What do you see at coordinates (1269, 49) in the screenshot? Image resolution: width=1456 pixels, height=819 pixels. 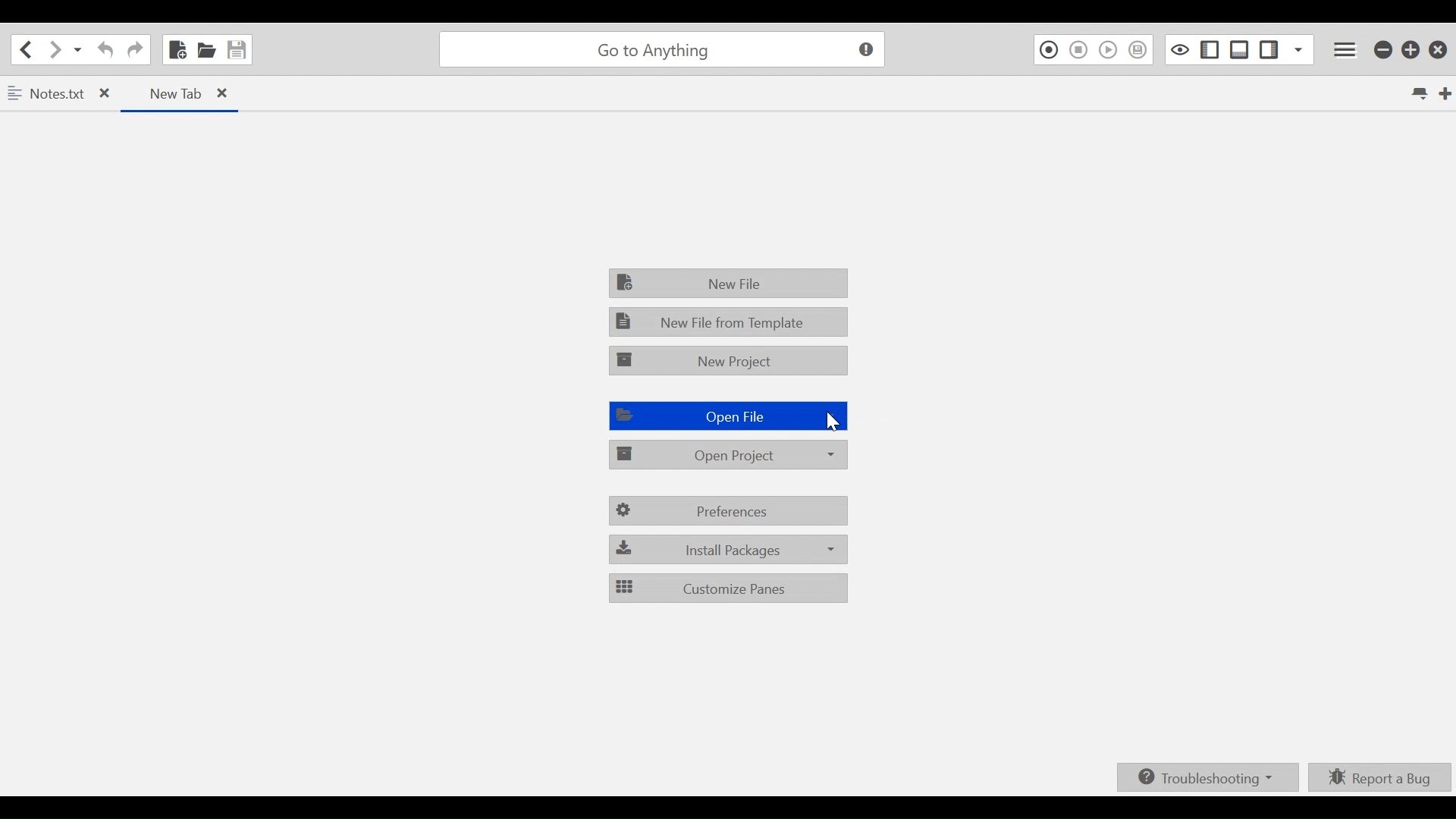 I see `Show/Hide Left Pane` at bounding box center [1269, 49].